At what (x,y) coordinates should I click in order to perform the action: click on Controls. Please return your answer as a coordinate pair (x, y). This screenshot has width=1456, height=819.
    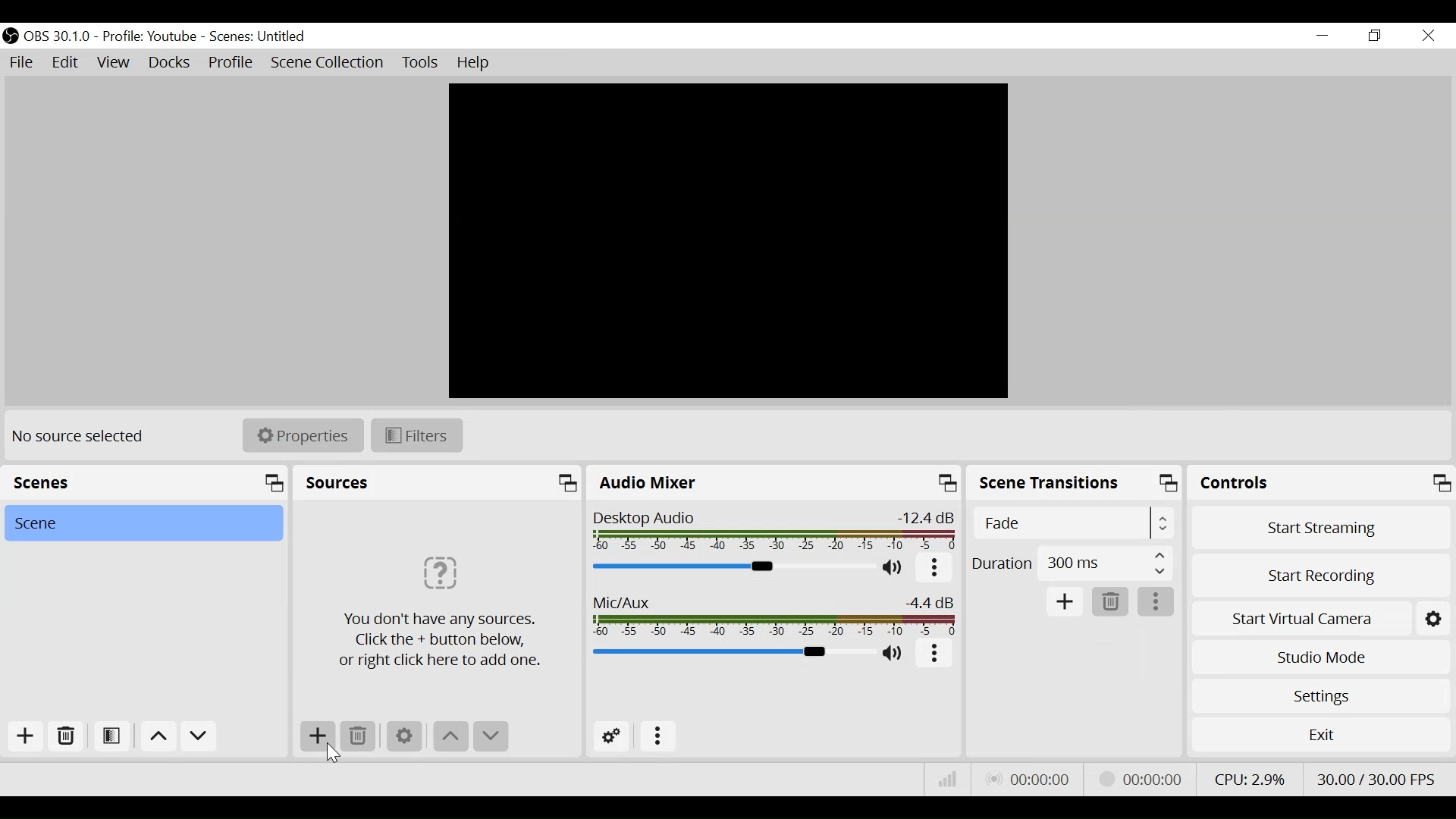
    Looking at the image, I should click on (1322, 485).